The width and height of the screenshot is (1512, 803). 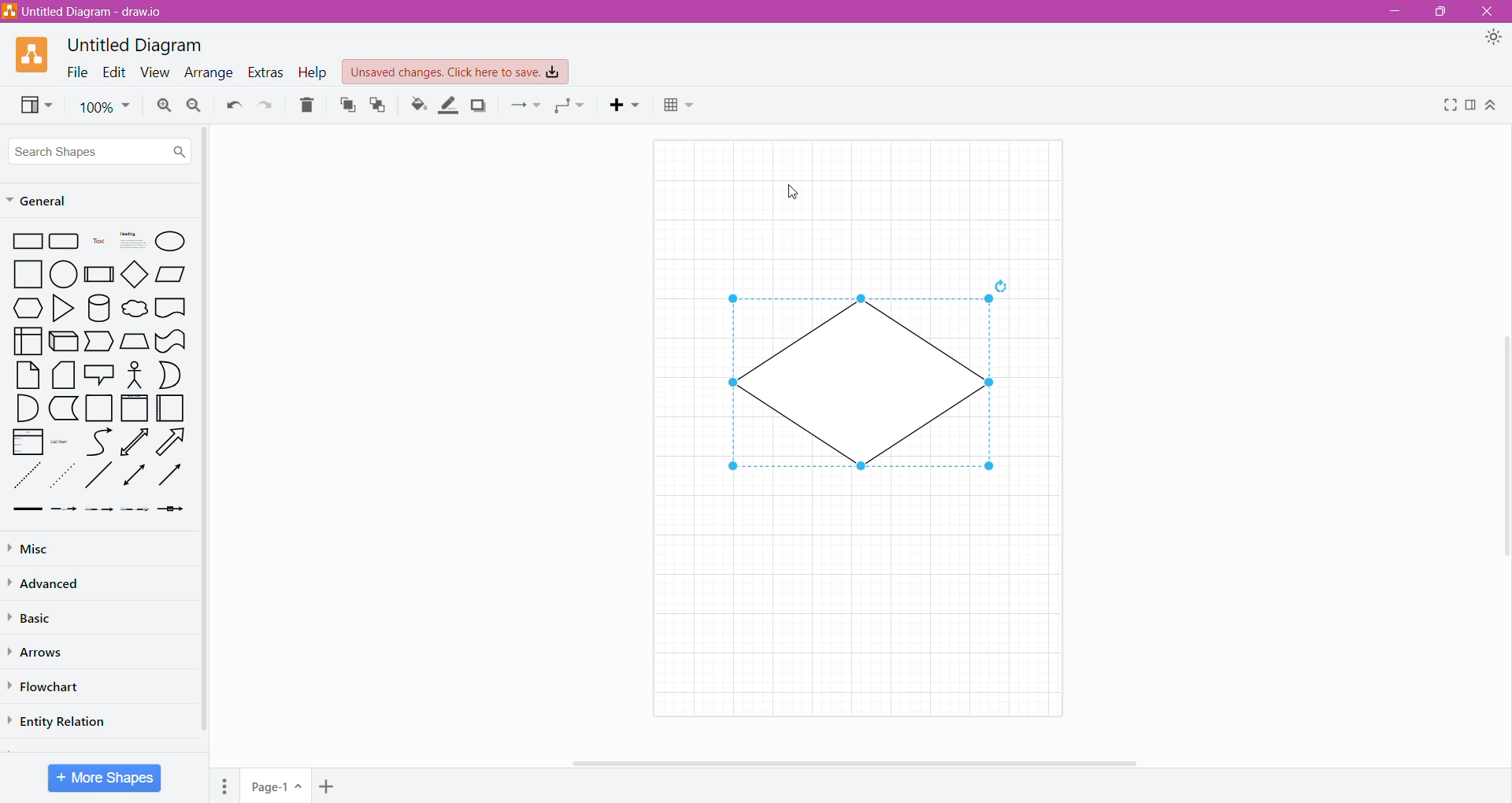 What do you see at coordinates (99, 442) in the screenshot?
I see `Curves` at bounding box center [99, 442].